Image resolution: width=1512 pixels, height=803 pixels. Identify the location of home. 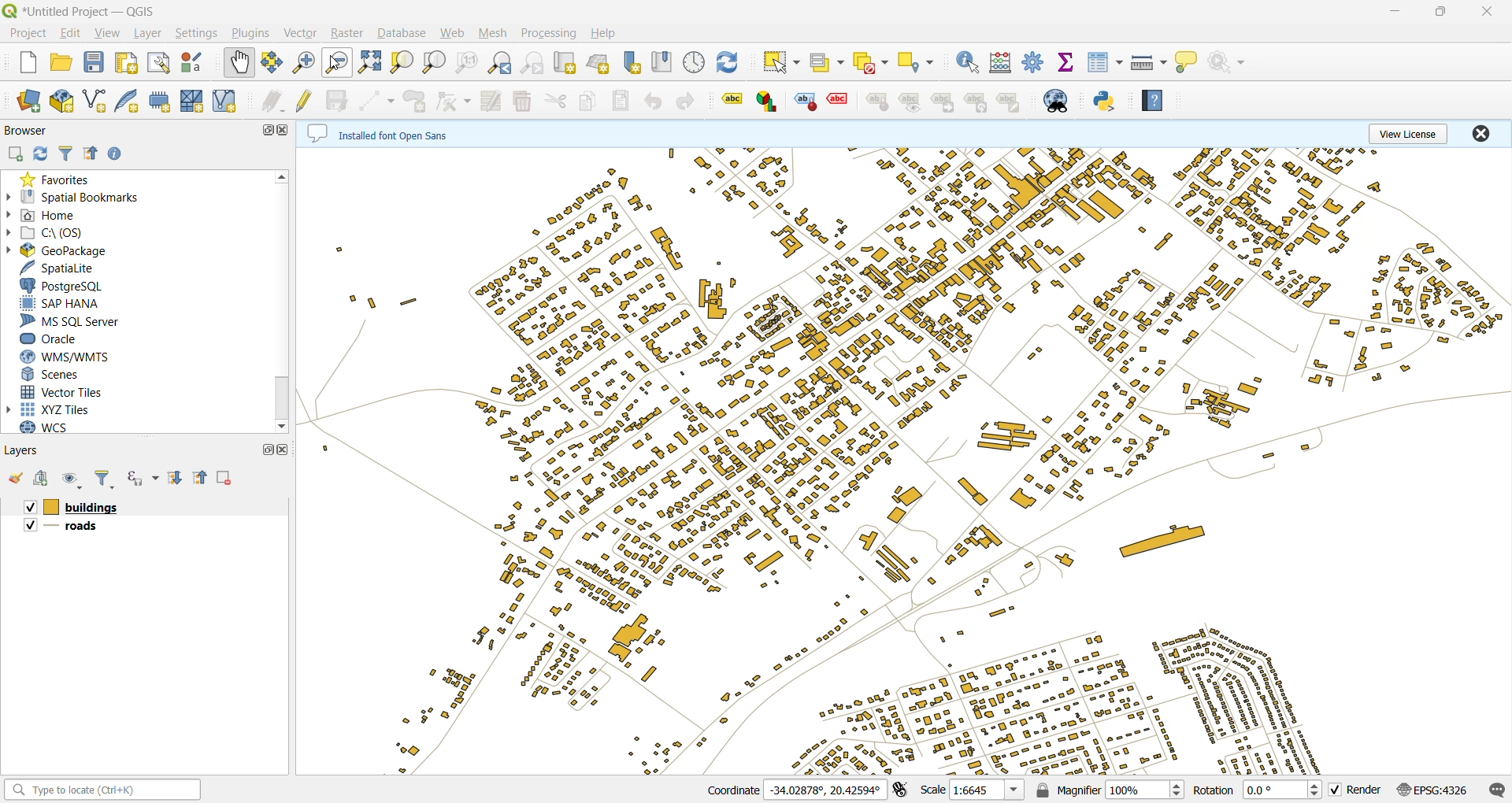
(54, 216).